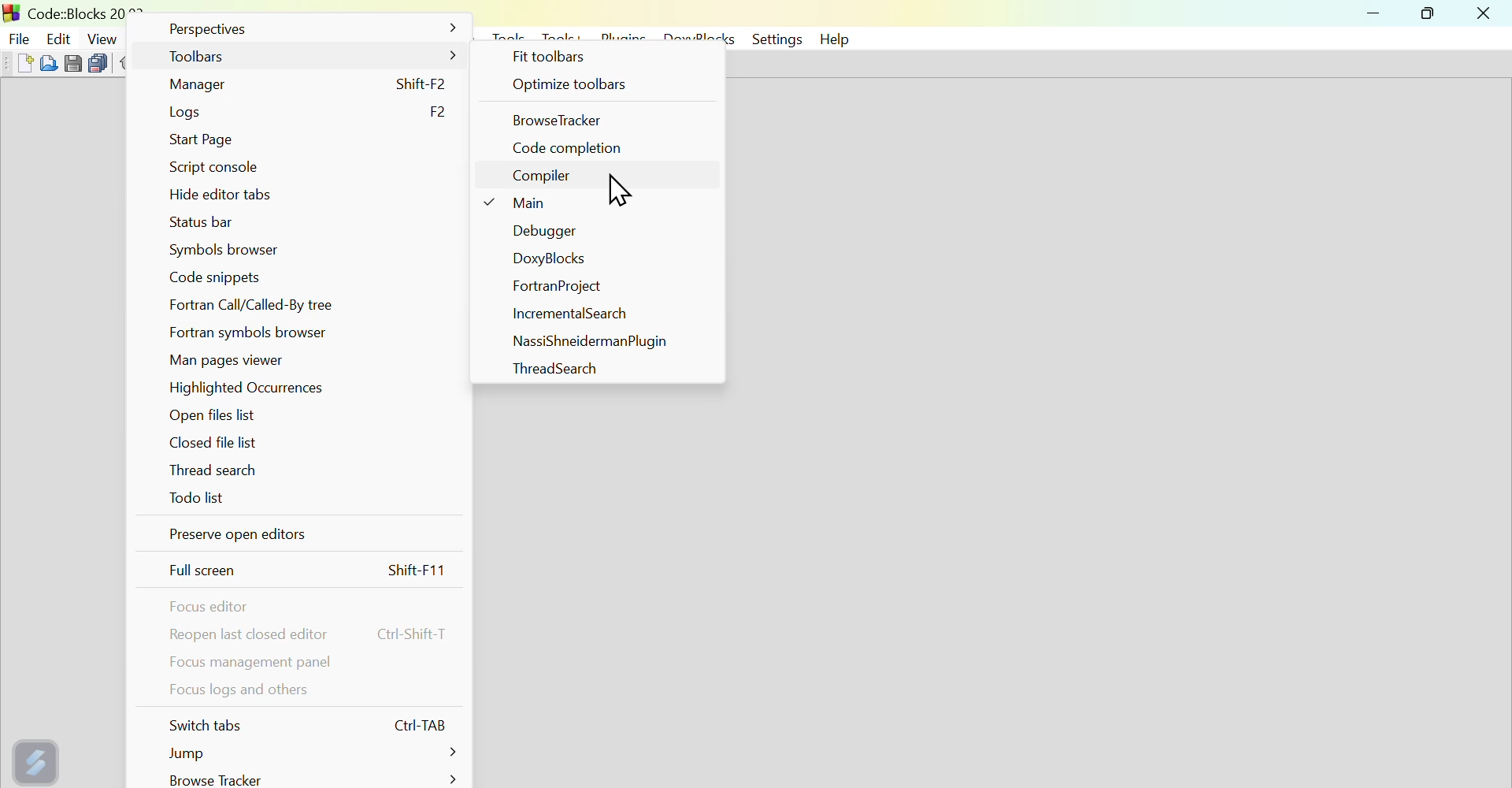 This screenshot has width=1512, height=788. I want to click on Settings, so click(774, 39).